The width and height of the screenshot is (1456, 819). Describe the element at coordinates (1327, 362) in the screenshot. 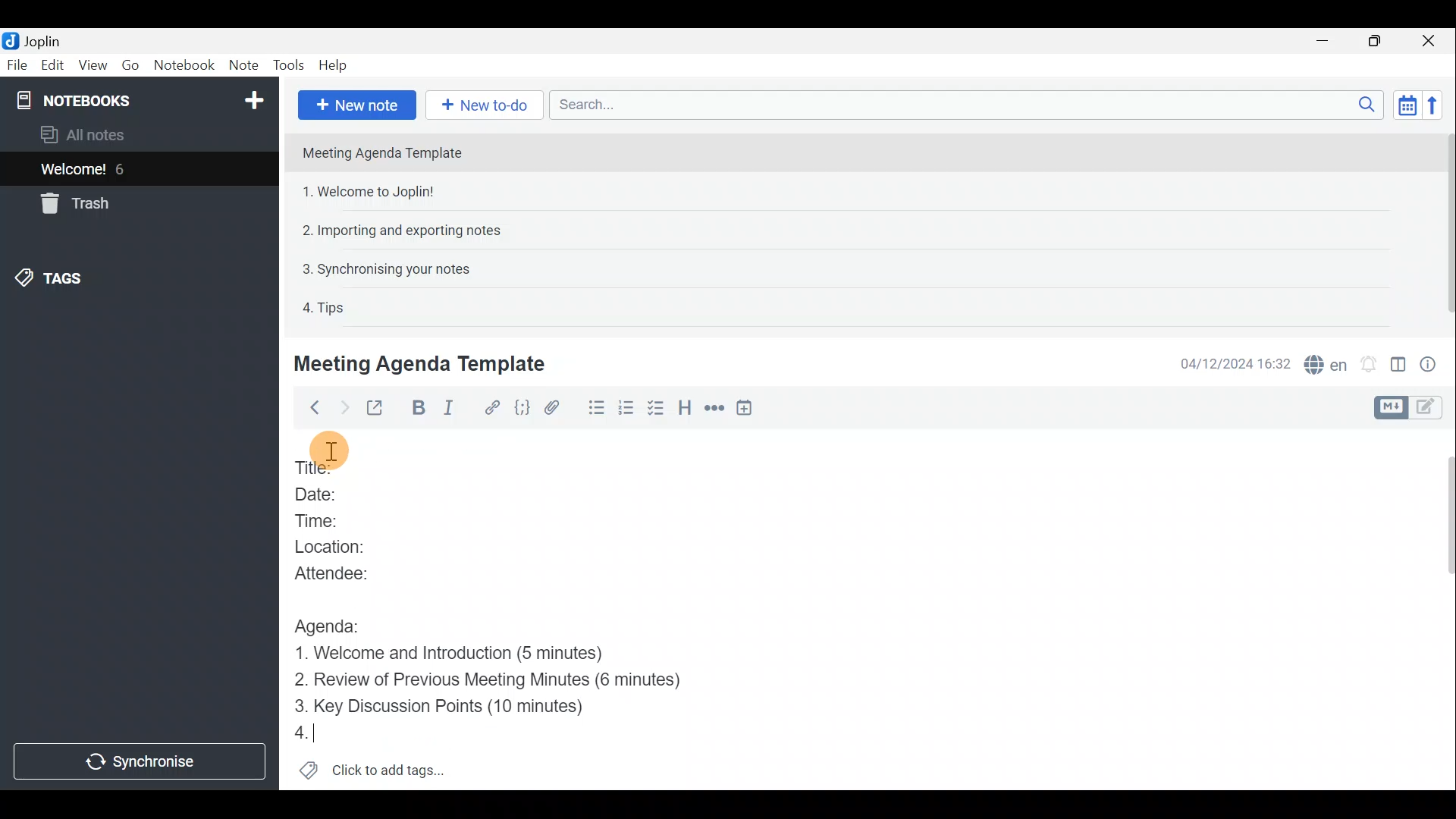

I see `Spell checker` at that location.